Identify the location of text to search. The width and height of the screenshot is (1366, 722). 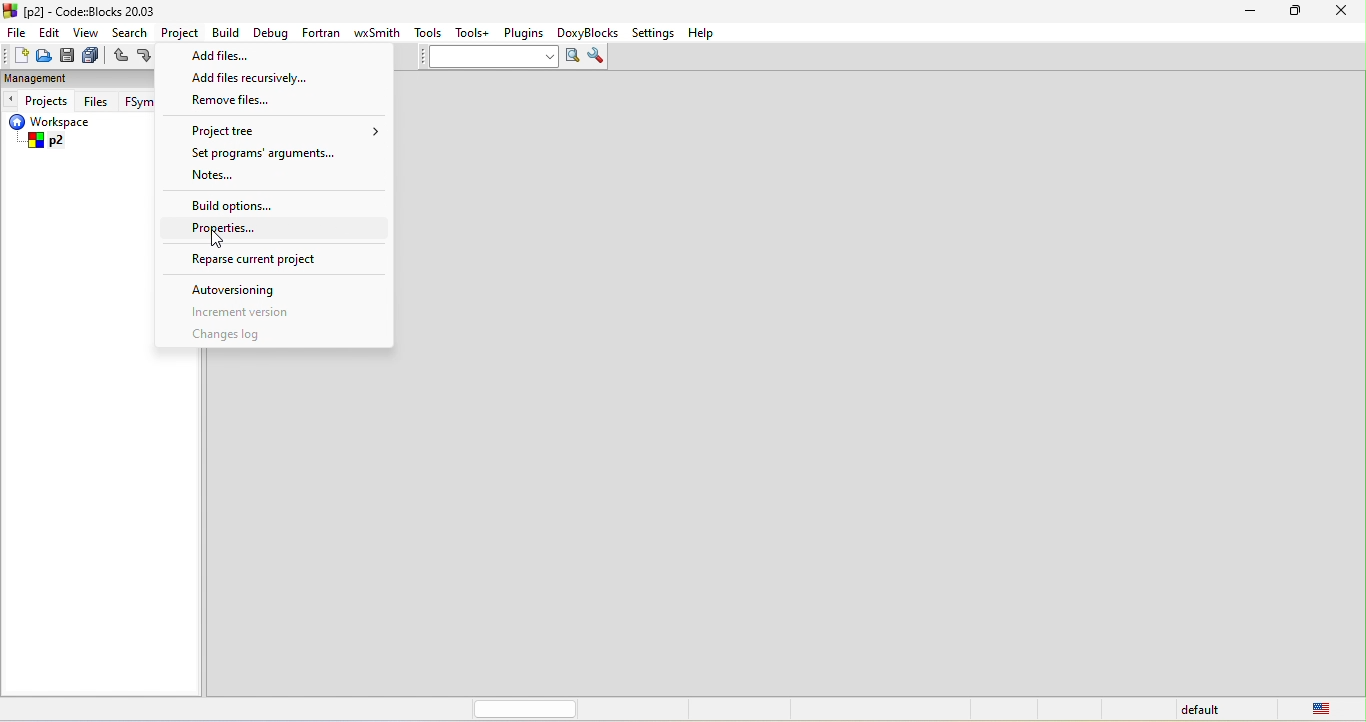
(489, 59).